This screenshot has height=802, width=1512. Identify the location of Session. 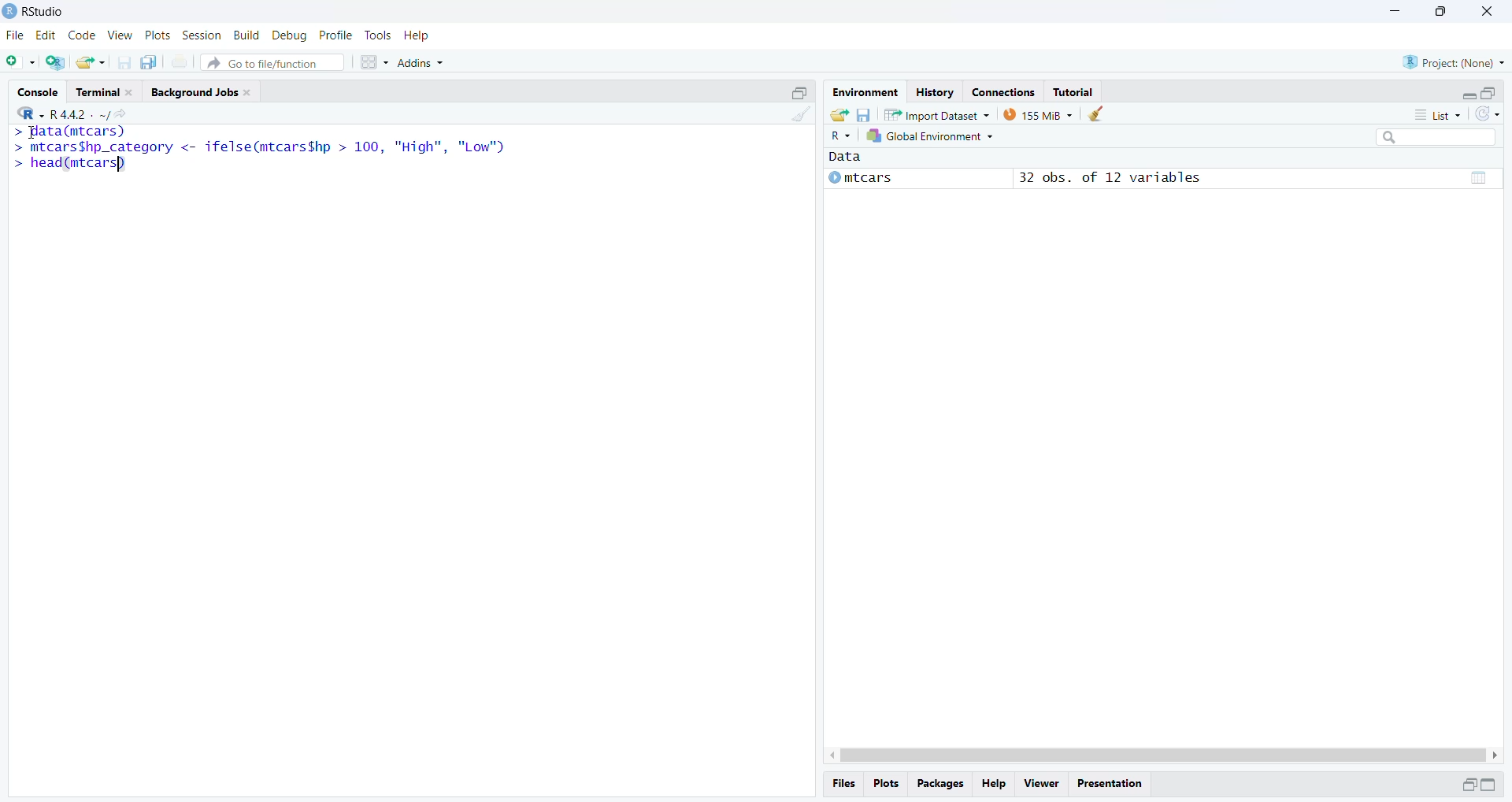
(202, 36).